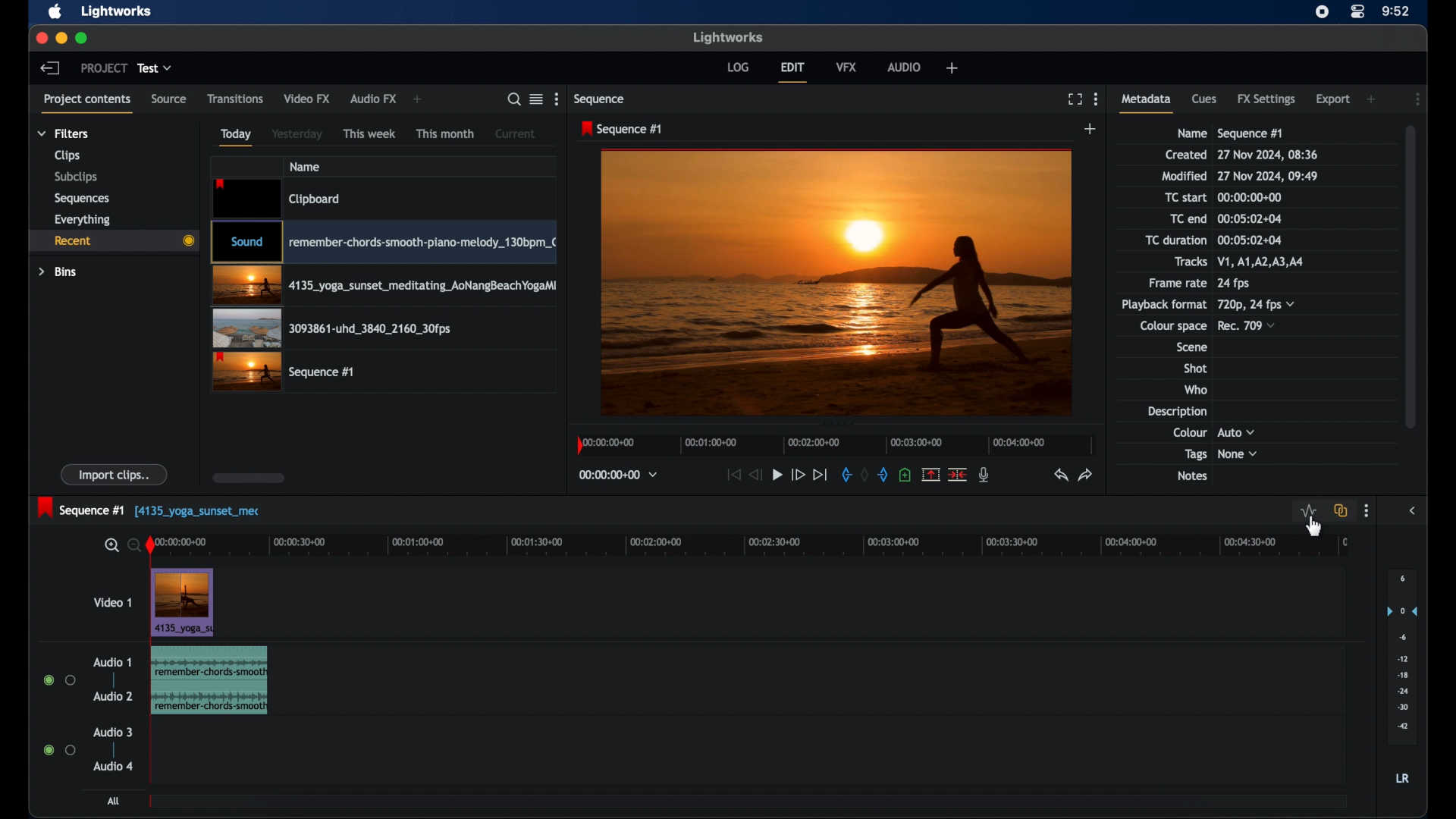 The image size is (1456, 819). What do you see at coordinates (82, 220) in the screenshot?
I see `everything` at bounding box center [82, 220].